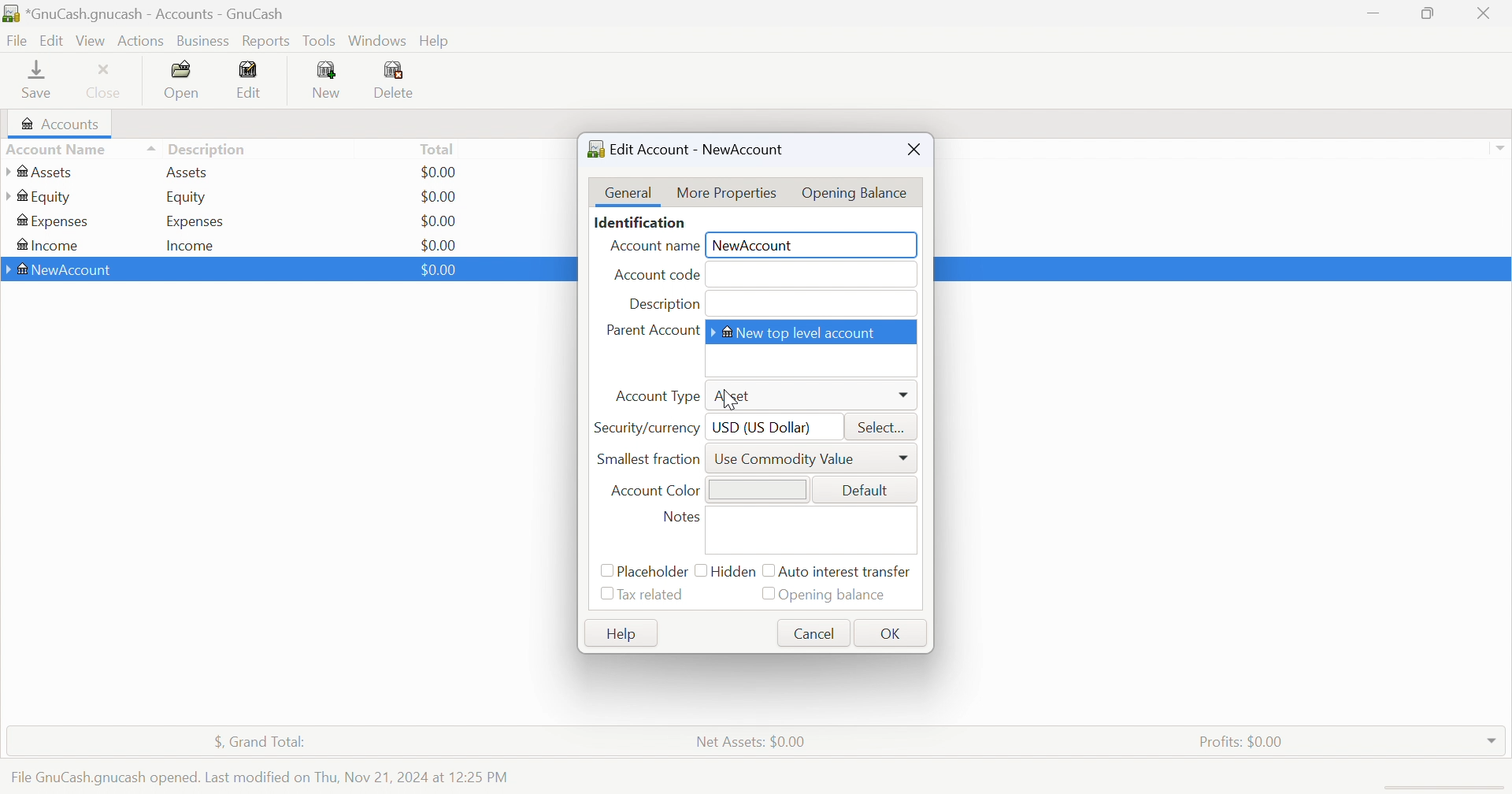 The width and height of the screenshot is (1512, 794). I want to click on Windows, so click(377, 41).